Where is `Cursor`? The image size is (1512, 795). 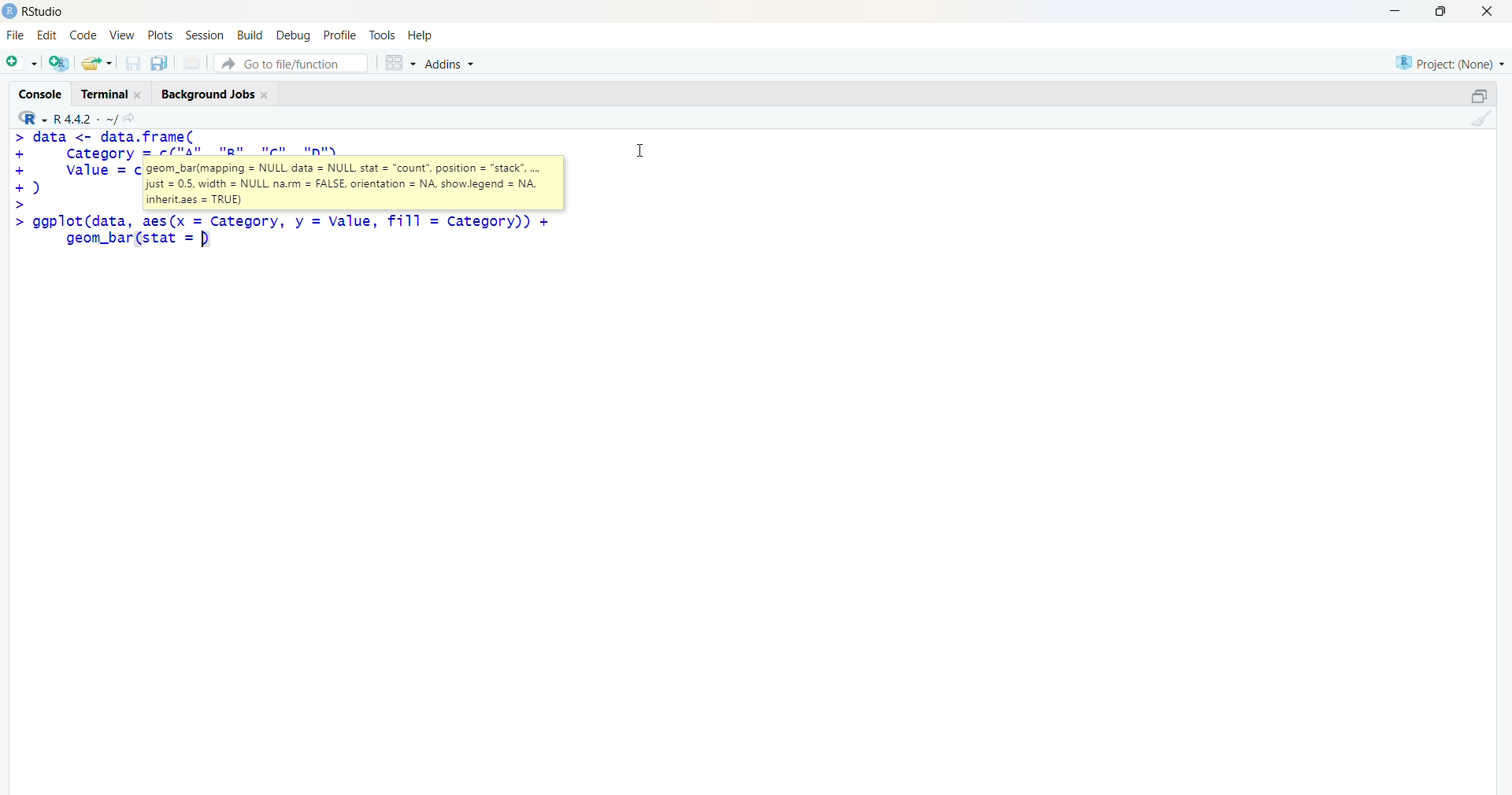 Cursor is located at coordinates (641, 148).